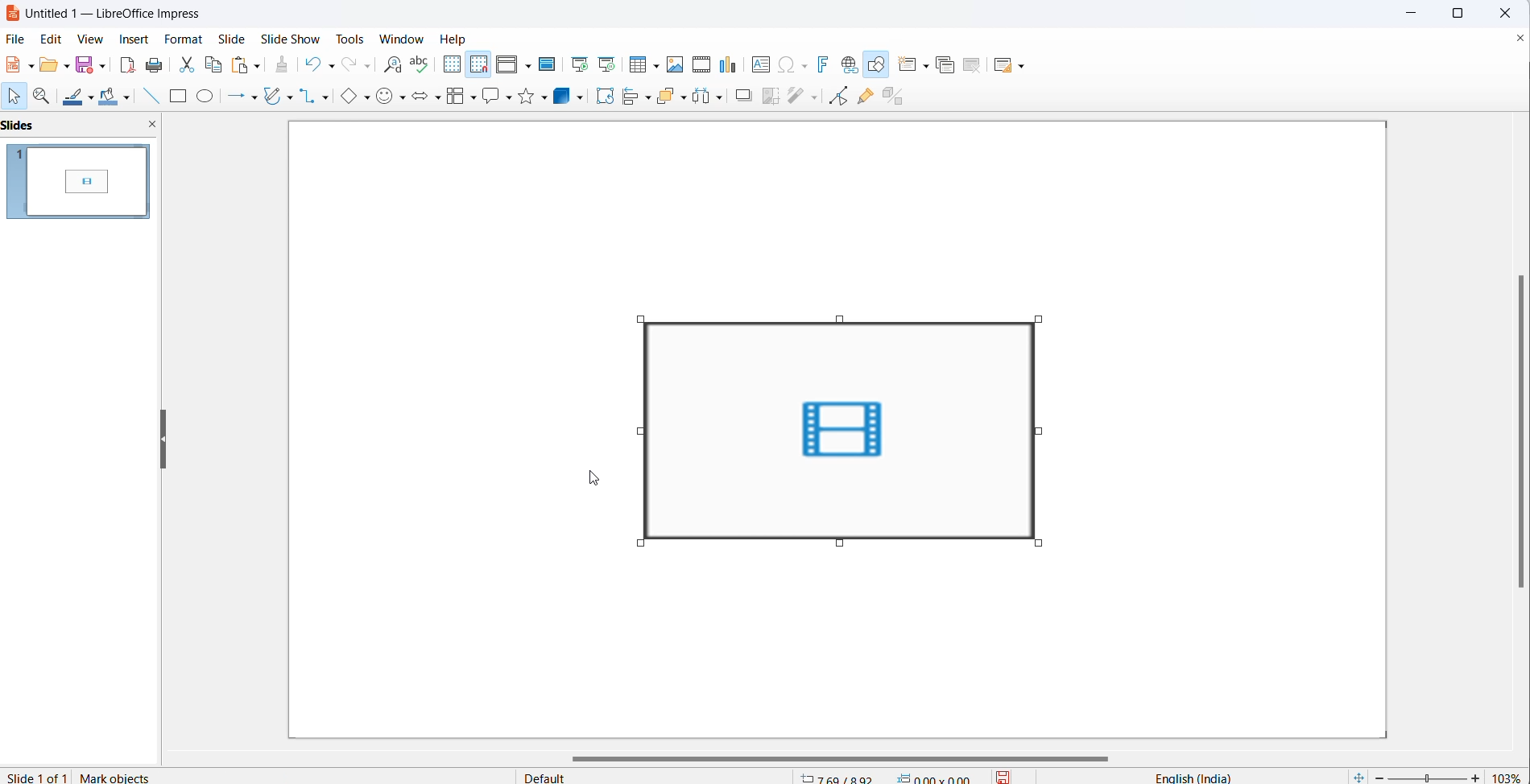 The width and height of the screenshot is (1530, 784). Describe the element at coordinates (176, 97) in the screenshot. I see `rectangle` at that location.